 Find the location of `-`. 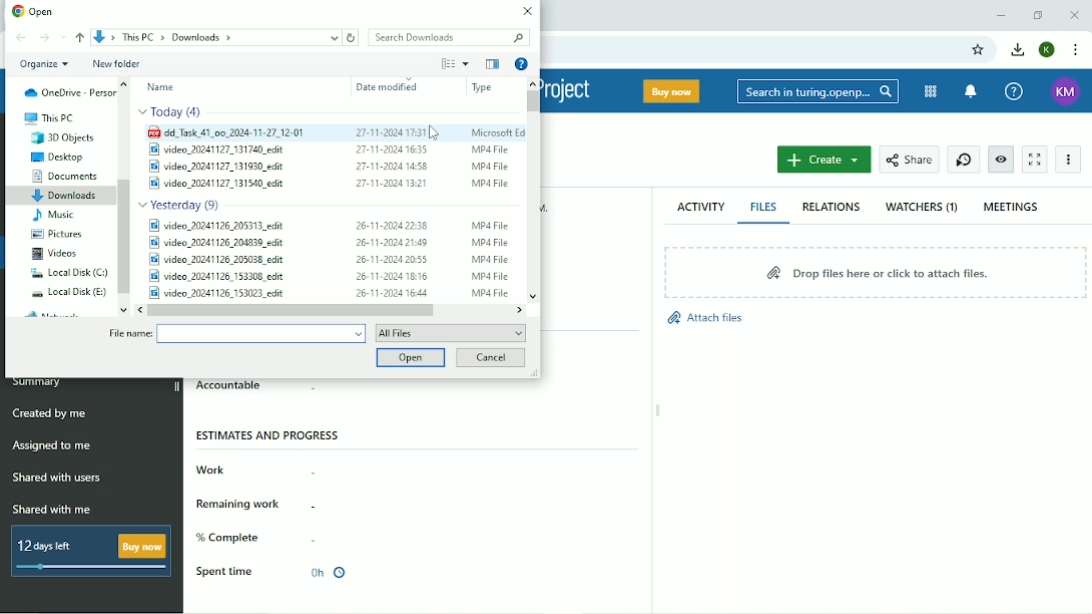

- is located at coordinates (330, 391).